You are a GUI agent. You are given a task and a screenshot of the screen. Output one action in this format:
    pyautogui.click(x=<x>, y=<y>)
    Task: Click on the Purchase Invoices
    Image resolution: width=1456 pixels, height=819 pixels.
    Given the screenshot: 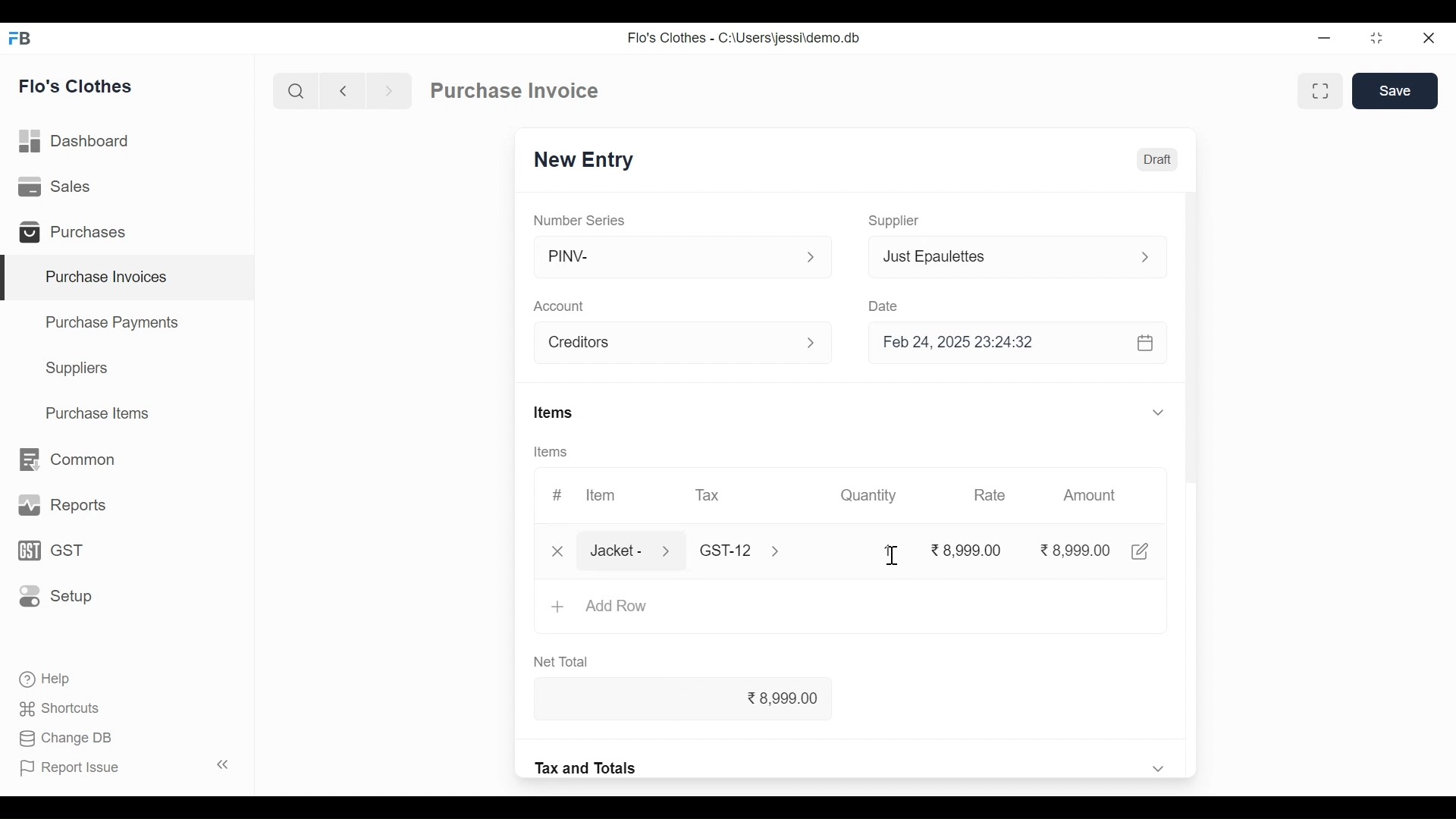 What is the action you would take?
    pyautogui.click(x=130, y=278)
    